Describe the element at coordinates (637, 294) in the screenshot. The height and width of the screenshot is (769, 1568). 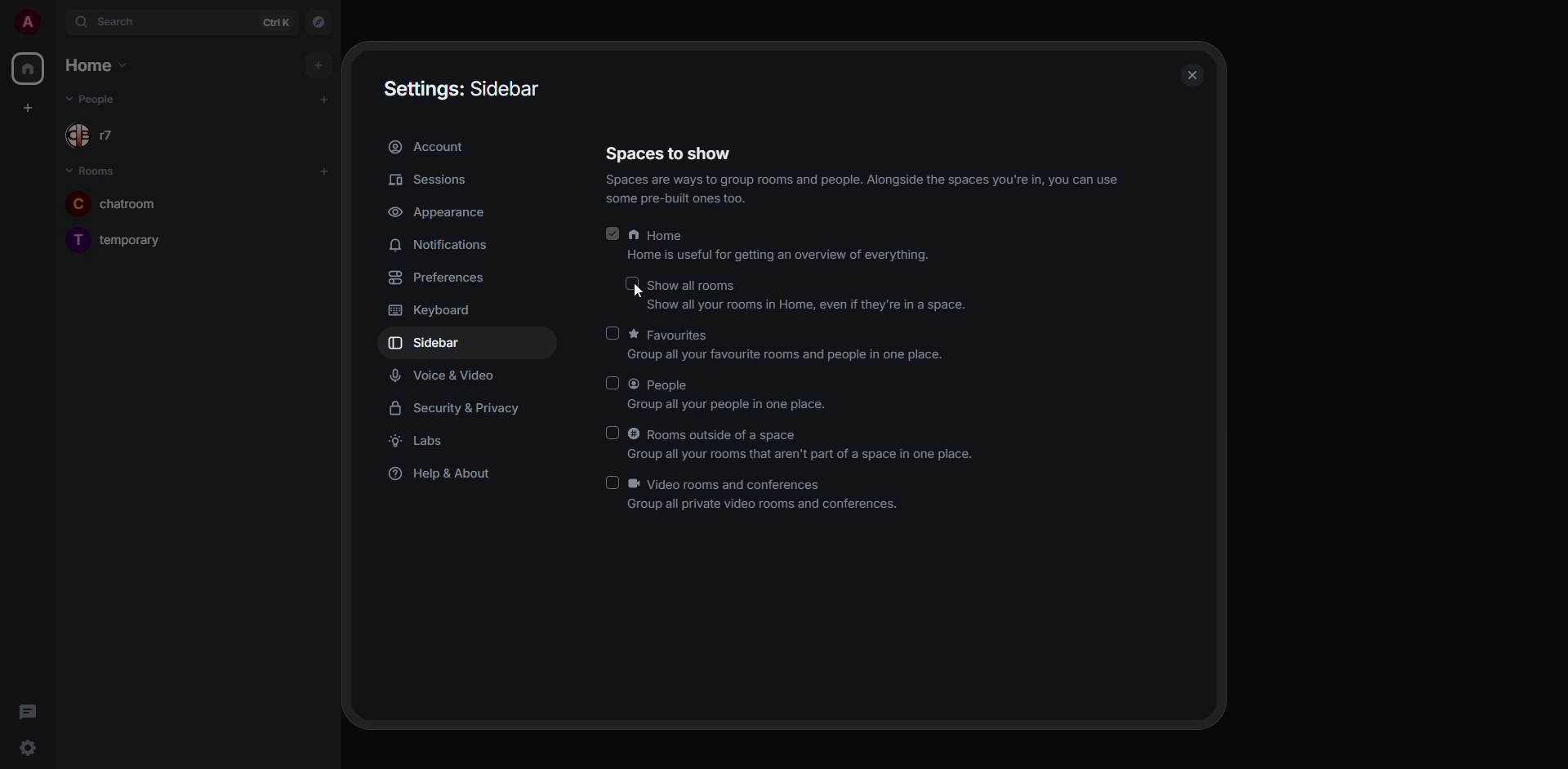
I see `cursor` at that location.